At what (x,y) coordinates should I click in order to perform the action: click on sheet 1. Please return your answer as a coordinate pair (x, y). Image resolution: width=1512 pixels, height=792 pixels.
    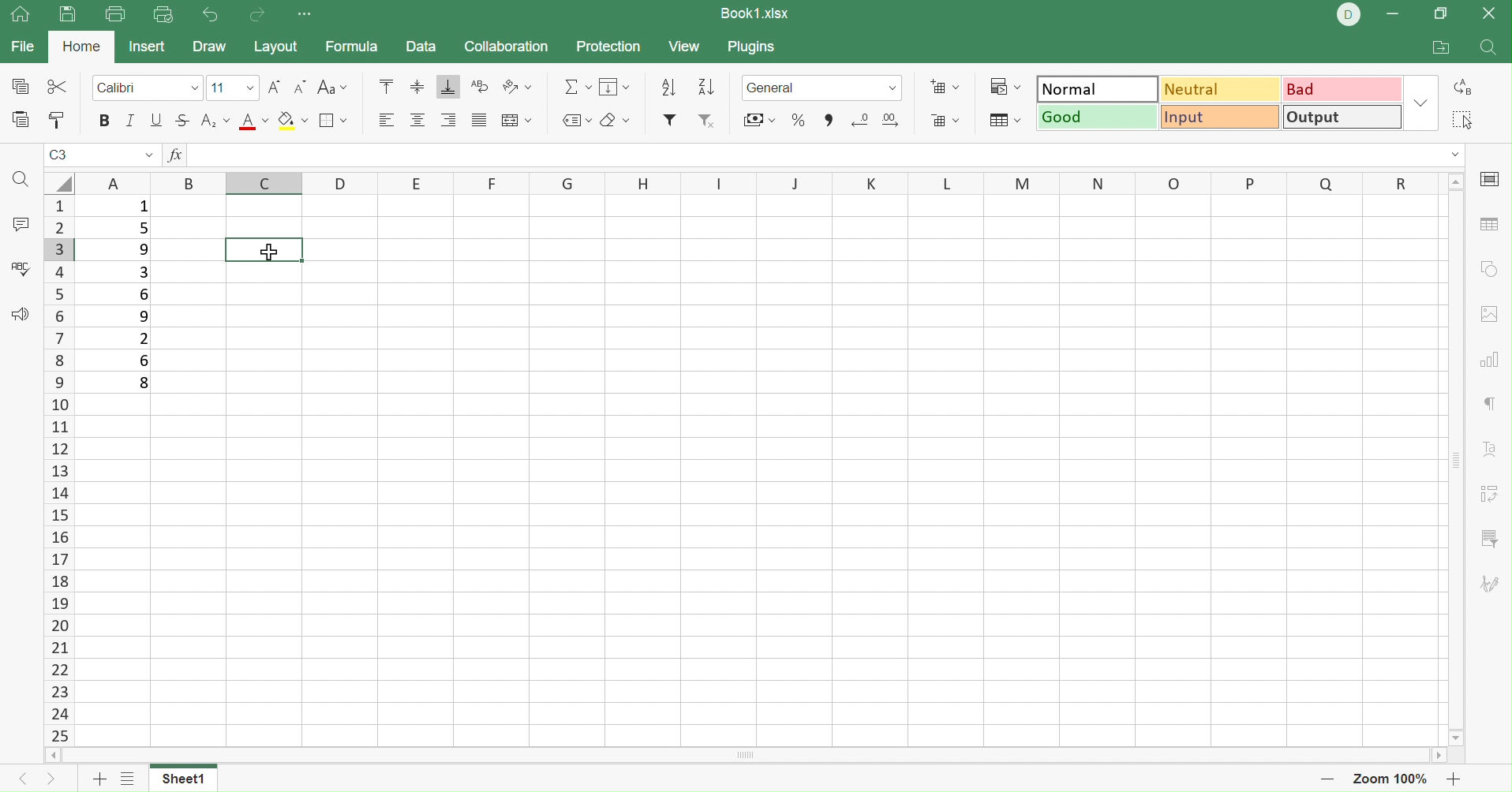
    Looking at the image, I should click on (178, 778).